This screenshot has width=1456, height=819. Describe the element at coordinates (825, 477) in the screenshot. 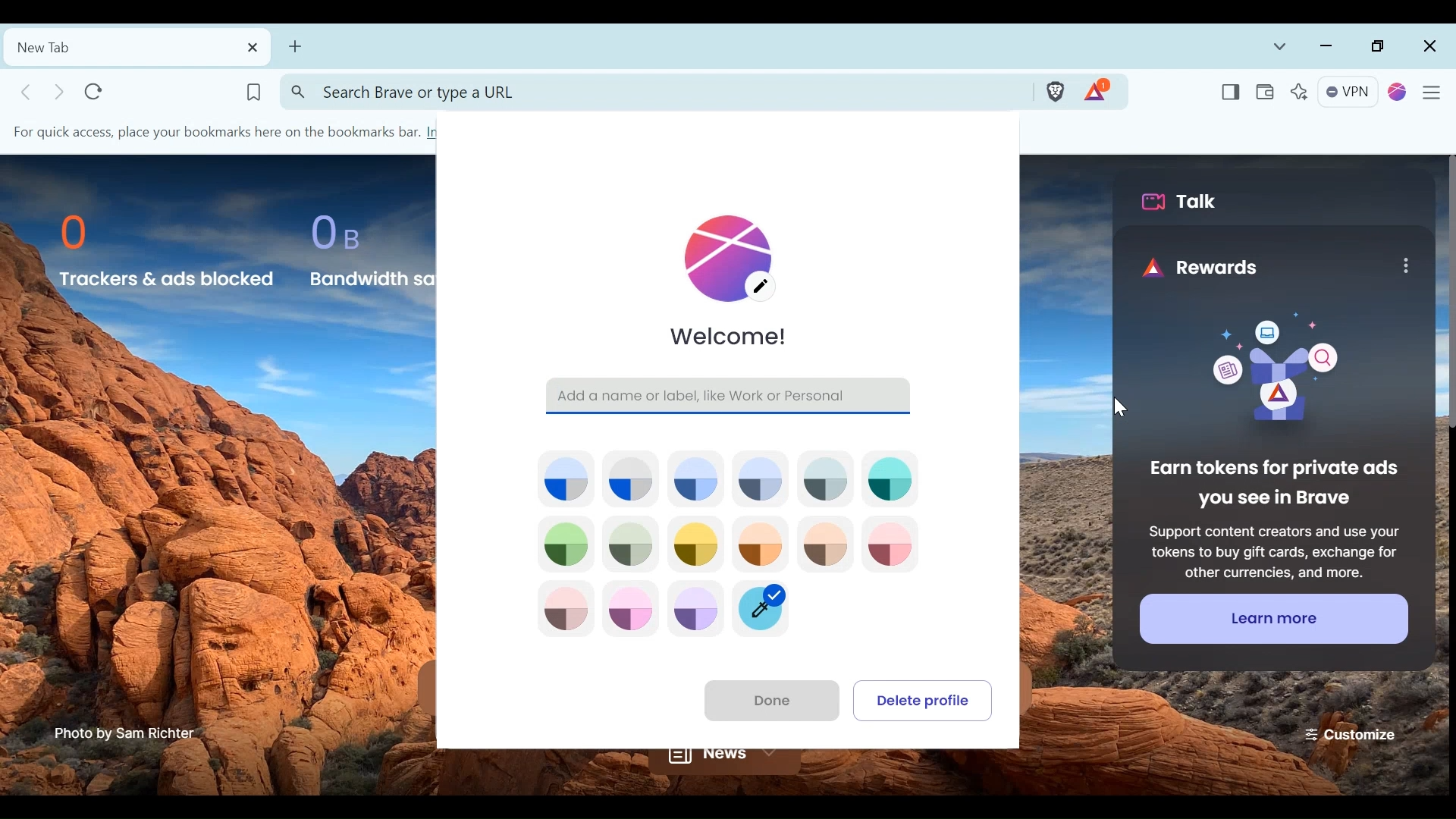

I see `Theme` at that location.